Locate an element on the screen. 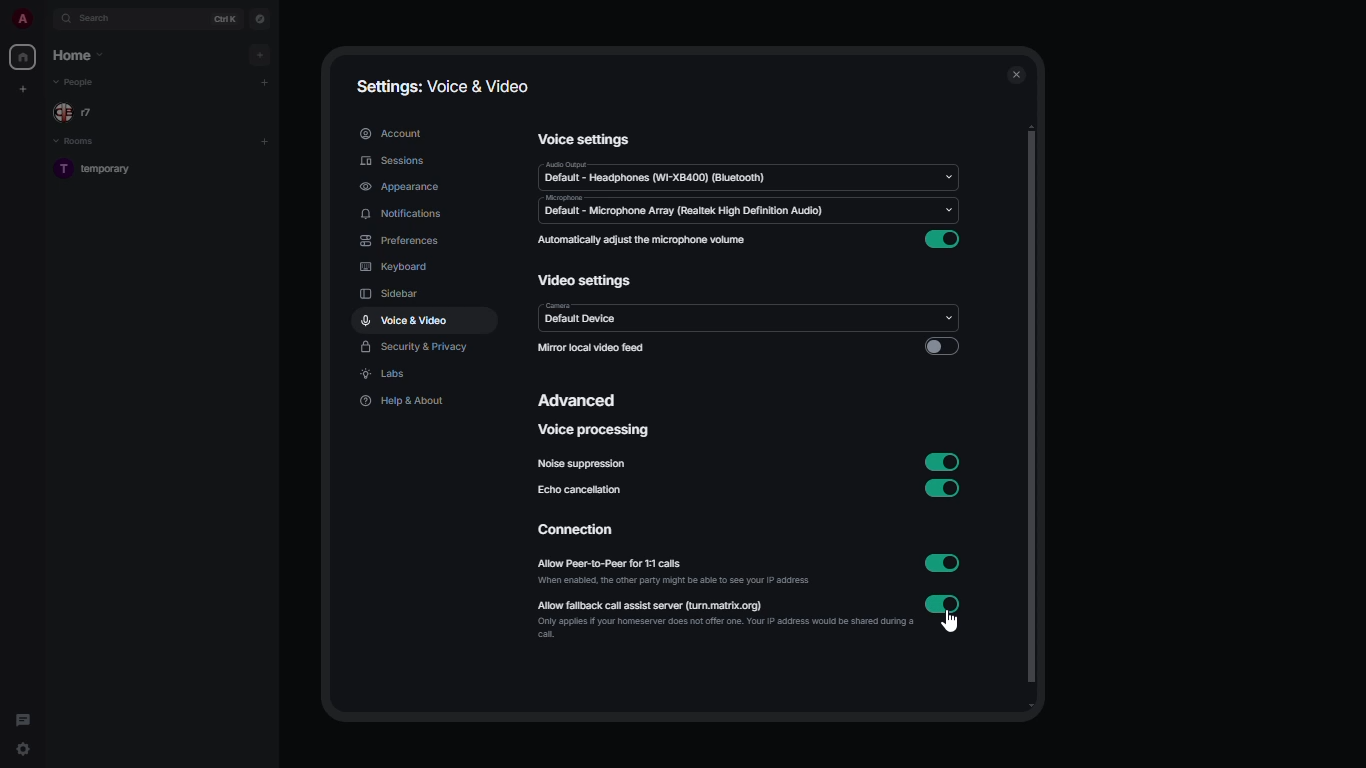  drop down is located at coordinates (951, 176).